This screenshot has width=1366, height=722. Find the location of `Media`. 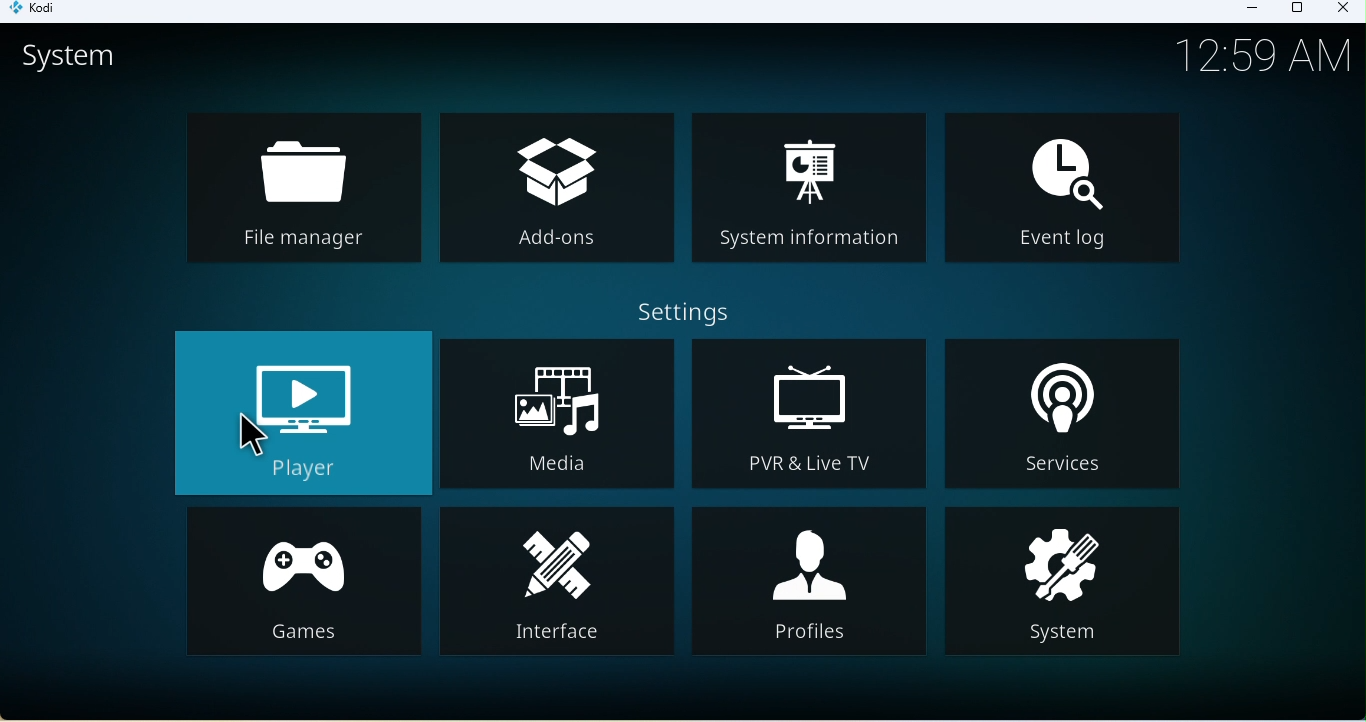

Media is located at coordinates (559, 417).